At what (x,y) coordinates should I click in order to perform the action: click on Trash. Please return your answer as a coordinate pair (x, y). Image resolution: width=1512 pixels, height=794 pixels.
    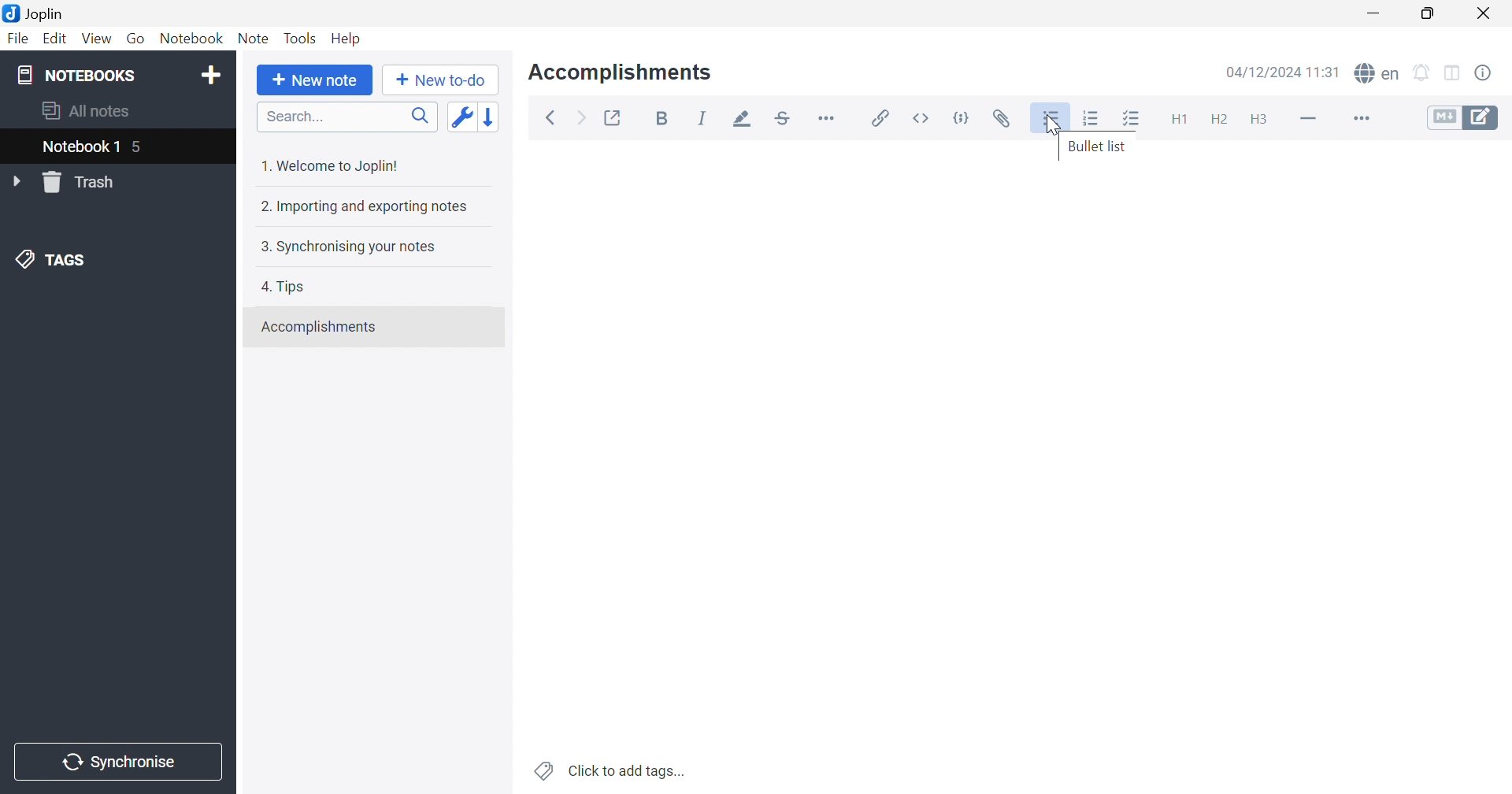
    Looking at the image, I should click on (83, 182).